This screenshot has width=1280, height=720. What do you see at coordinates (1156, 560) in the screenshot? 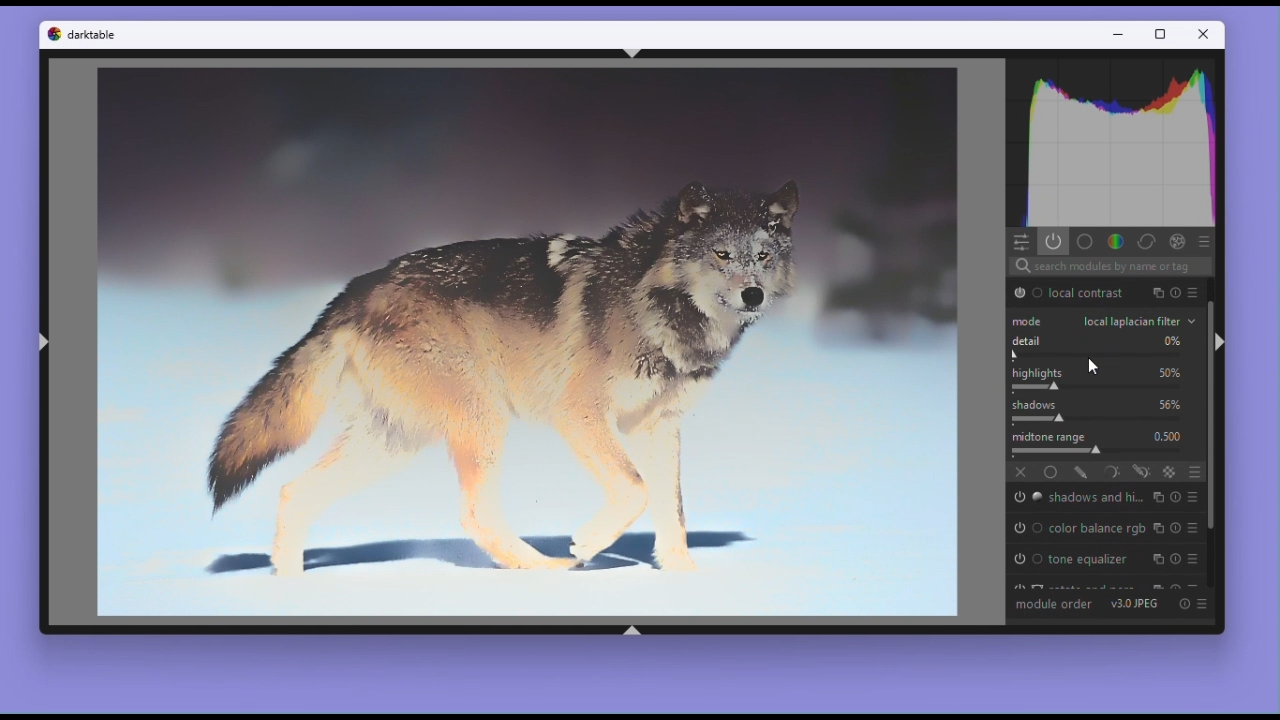
I see `multiple instance actions` at bounding box center [1156, 560].